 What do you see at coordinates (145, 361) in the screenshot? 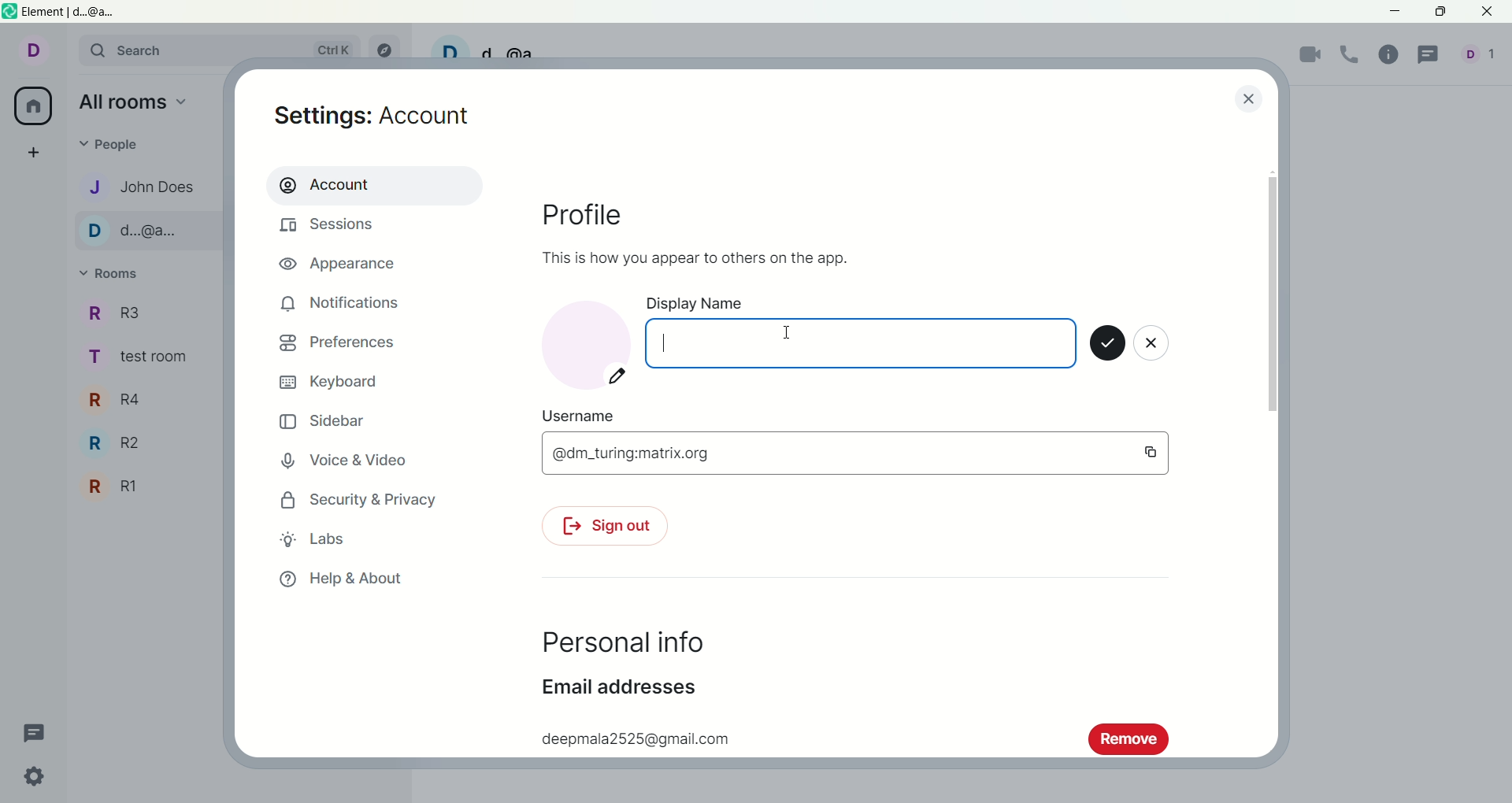
I see `TEST ROOM` at bounding box center [145, 361].